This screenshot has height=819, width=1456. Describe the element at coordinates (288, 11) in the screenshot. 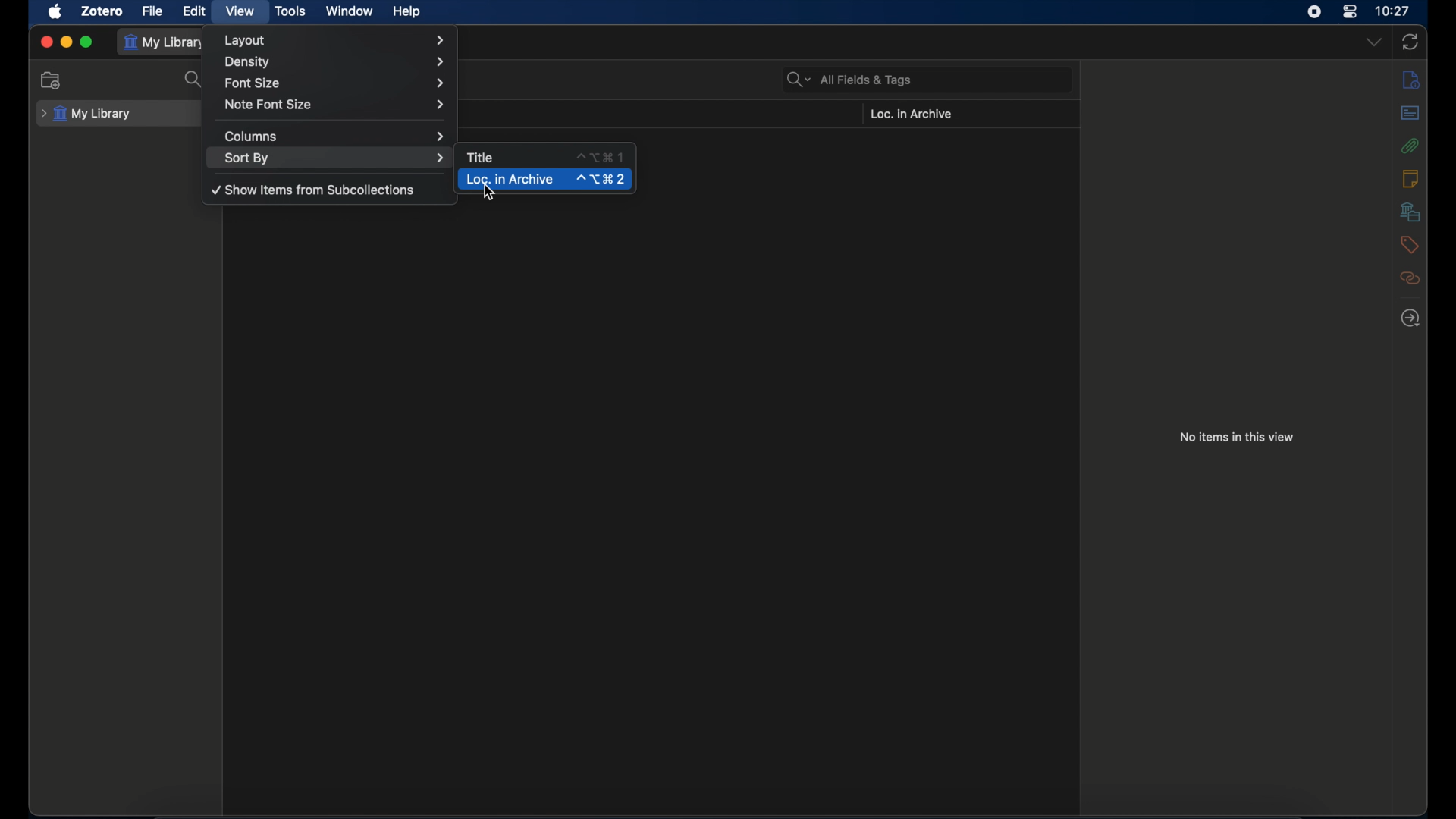

I see `tools` at that location.